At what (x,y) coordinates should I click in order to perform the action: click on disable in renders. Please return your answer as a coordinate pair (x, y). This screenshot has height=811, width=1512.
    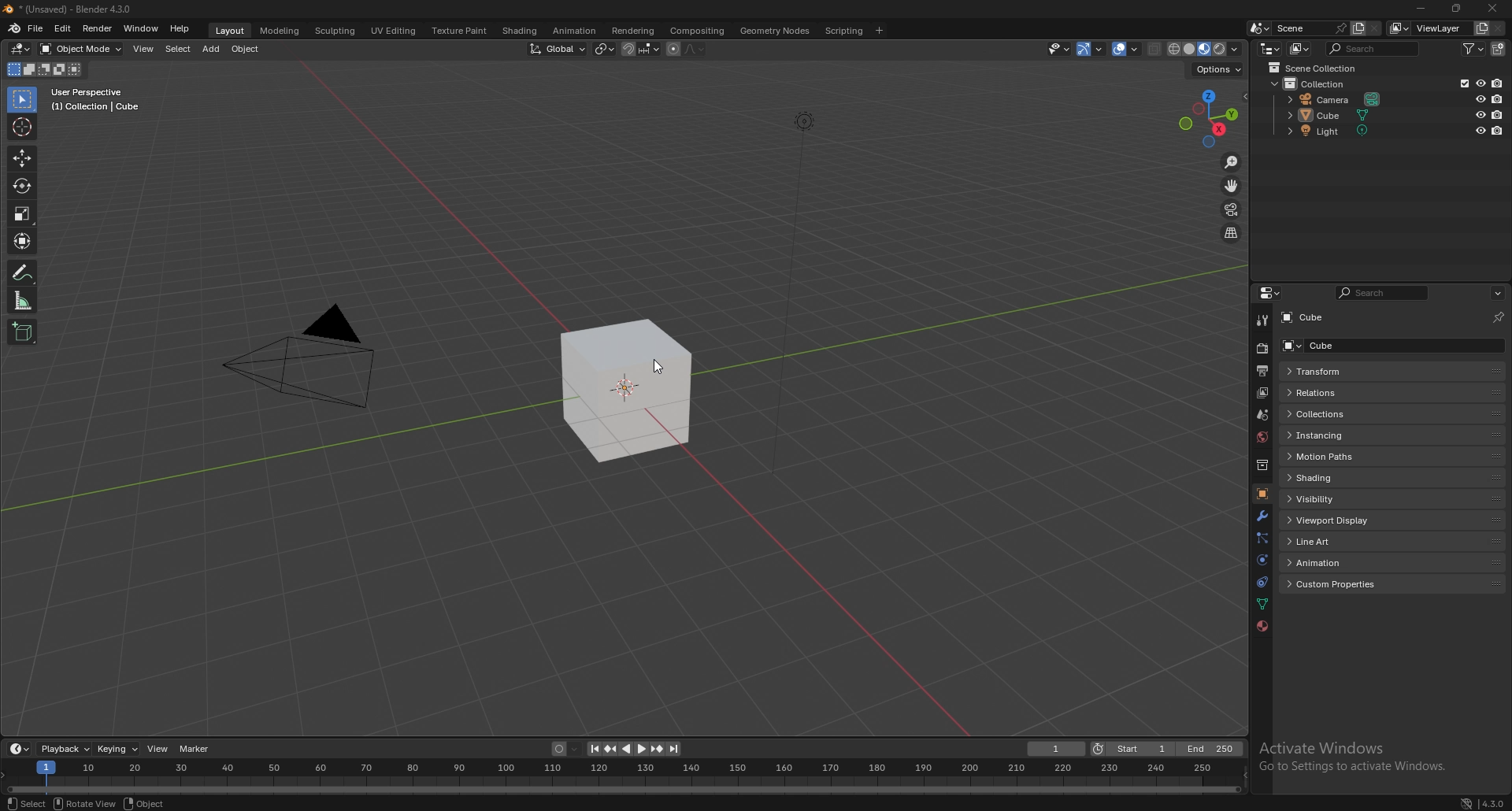
    Looking at the image, I should click on (1499, 99).